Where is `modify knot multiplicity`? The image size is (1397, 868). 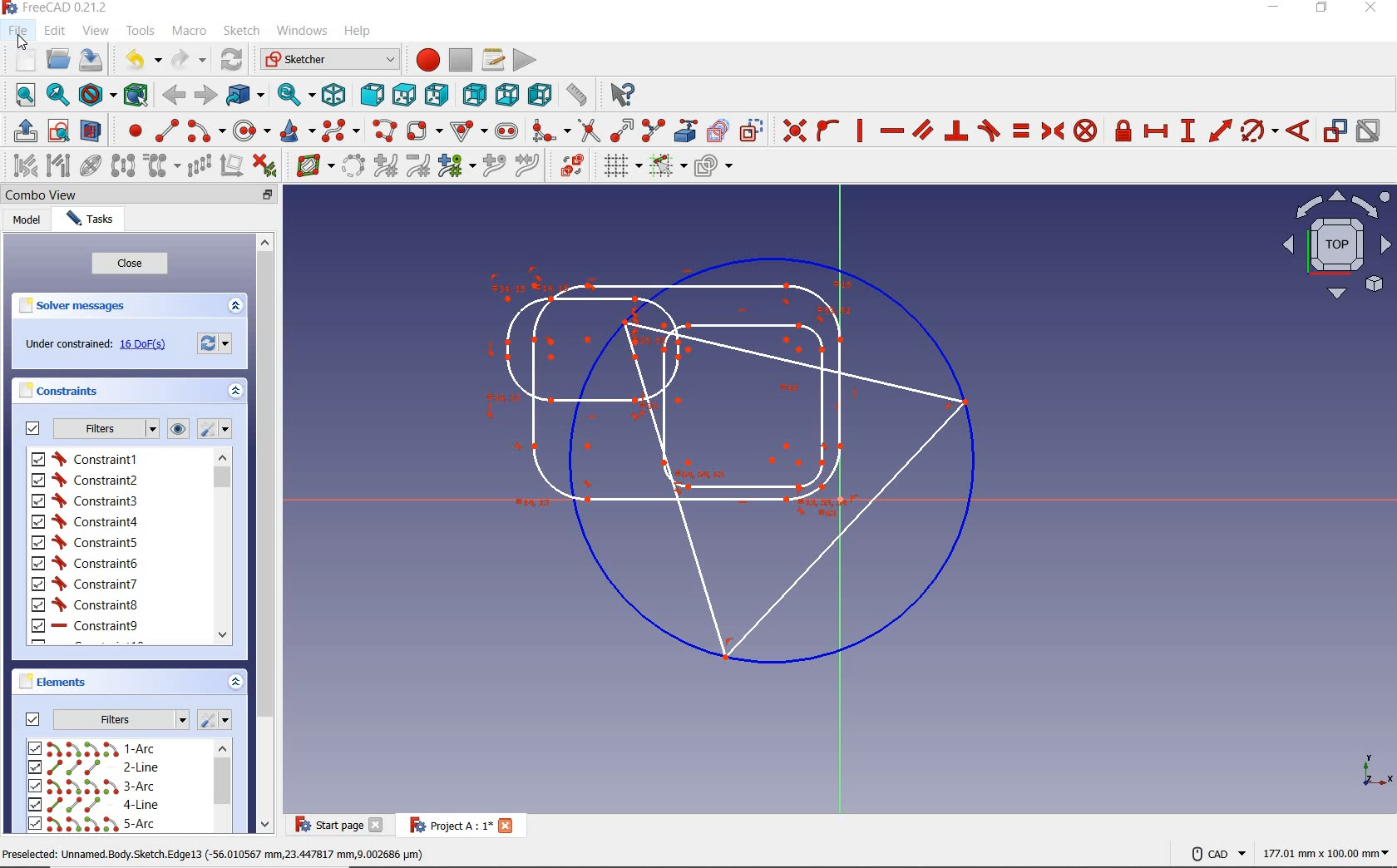
modify knot multiplicity is located at coordinates (454, 167).